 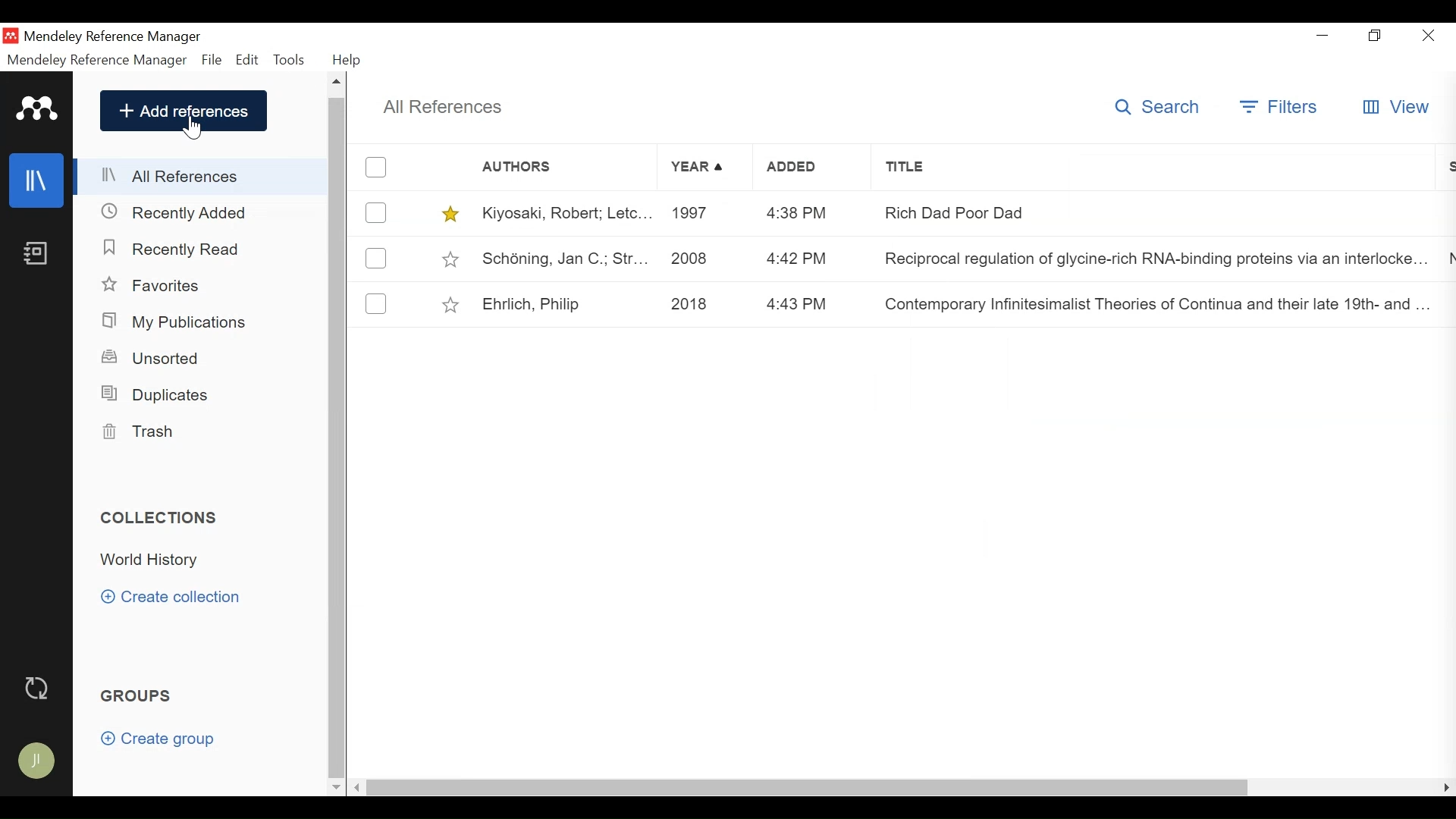 What do you see at coordinates (1373, 36) in the screenshot?
I see `Restore` at bounding box center [1373, 36].